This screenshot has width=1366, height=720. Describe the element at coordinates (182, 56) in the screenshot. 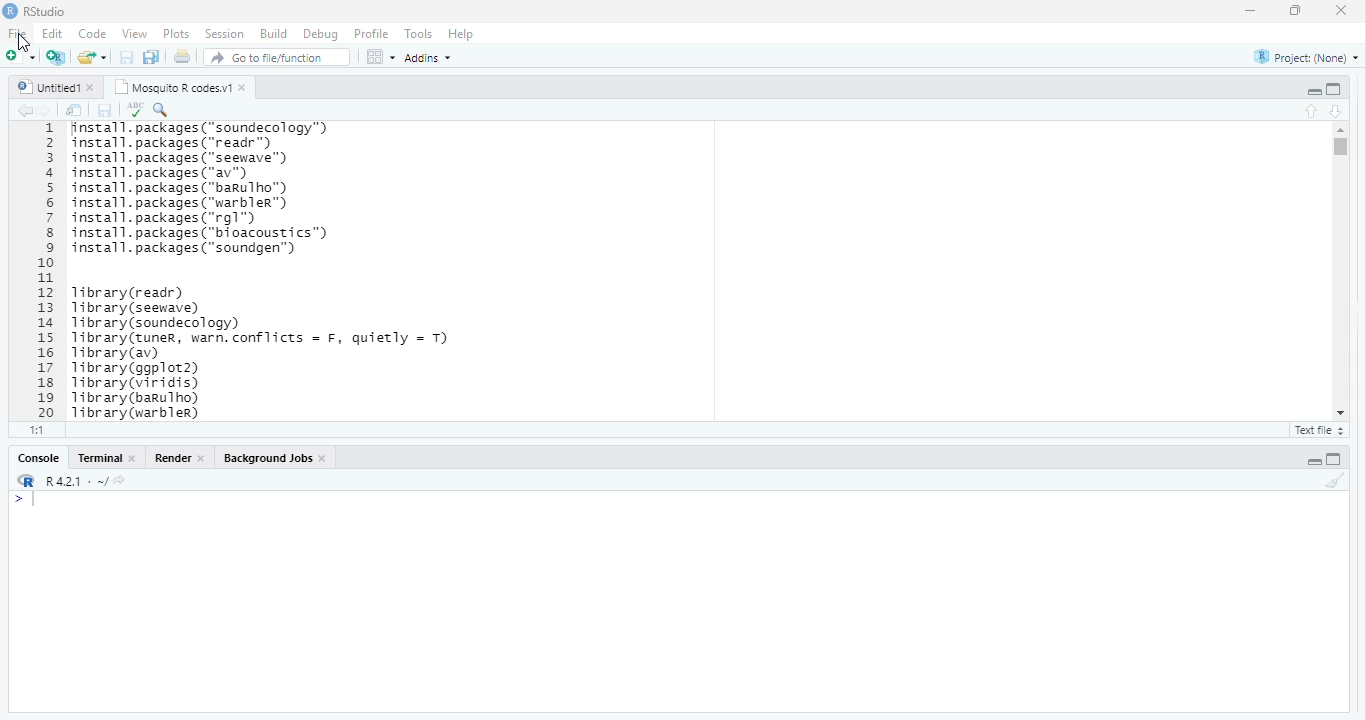

I see `print` at that location.